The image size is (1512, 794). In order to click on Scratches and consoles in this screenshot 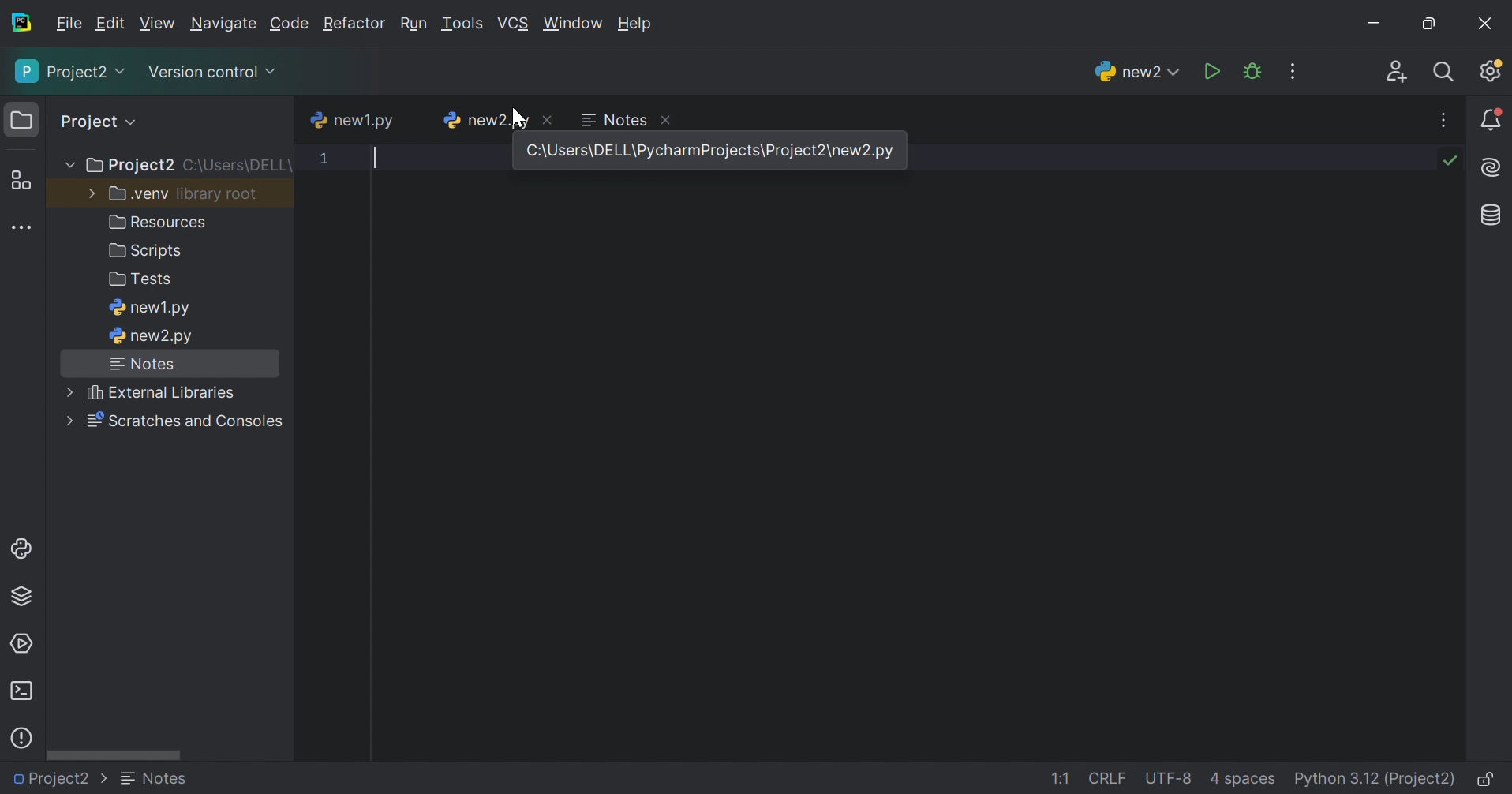, I will do `click(176, 421)`.